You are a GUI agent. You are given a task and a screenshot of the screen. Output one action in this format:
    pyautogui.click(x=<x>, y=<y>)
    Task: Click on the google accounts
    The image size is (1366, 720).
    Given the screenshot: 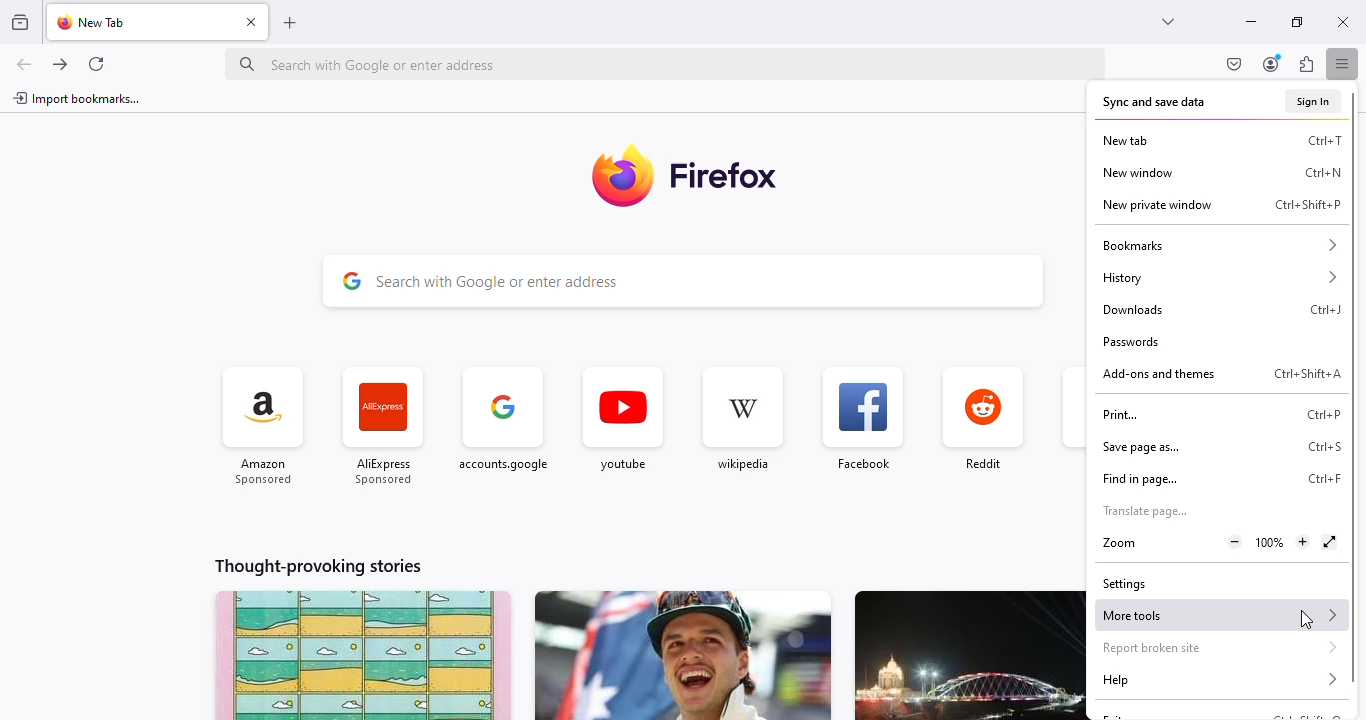 What is the action you would take?
    pyautogui.click(x=504, y=426)
    